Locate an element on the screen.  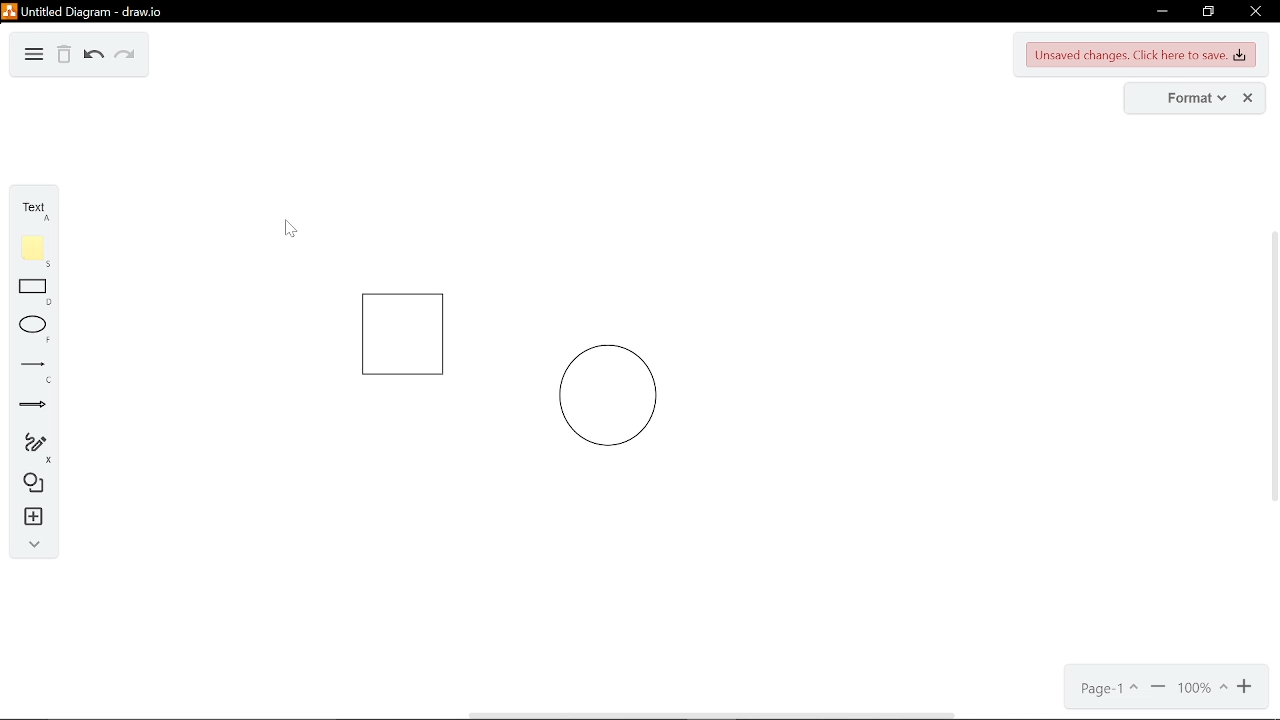
format is located at coordinates (1177, 99).